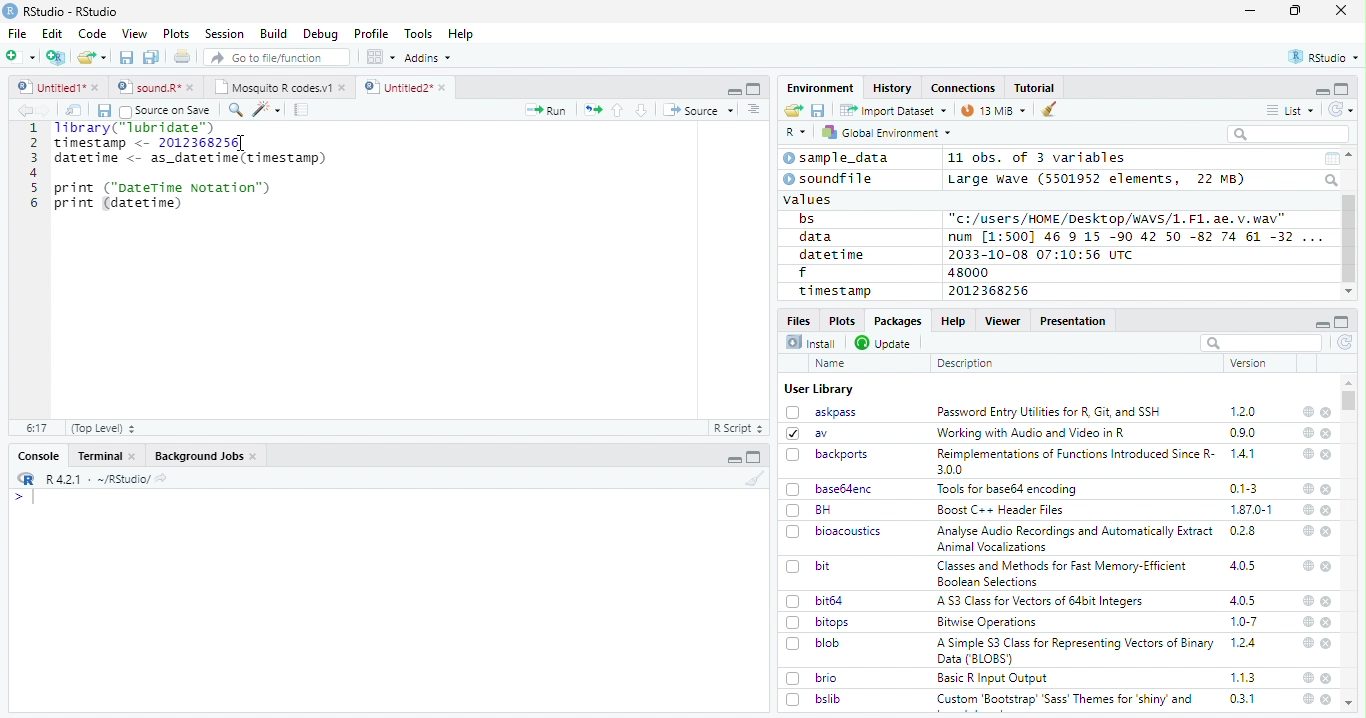 Image resolution: width=1366 pixels, height=718 pixels. I want to click on Boost C++ Header Files, so click(998, 511).